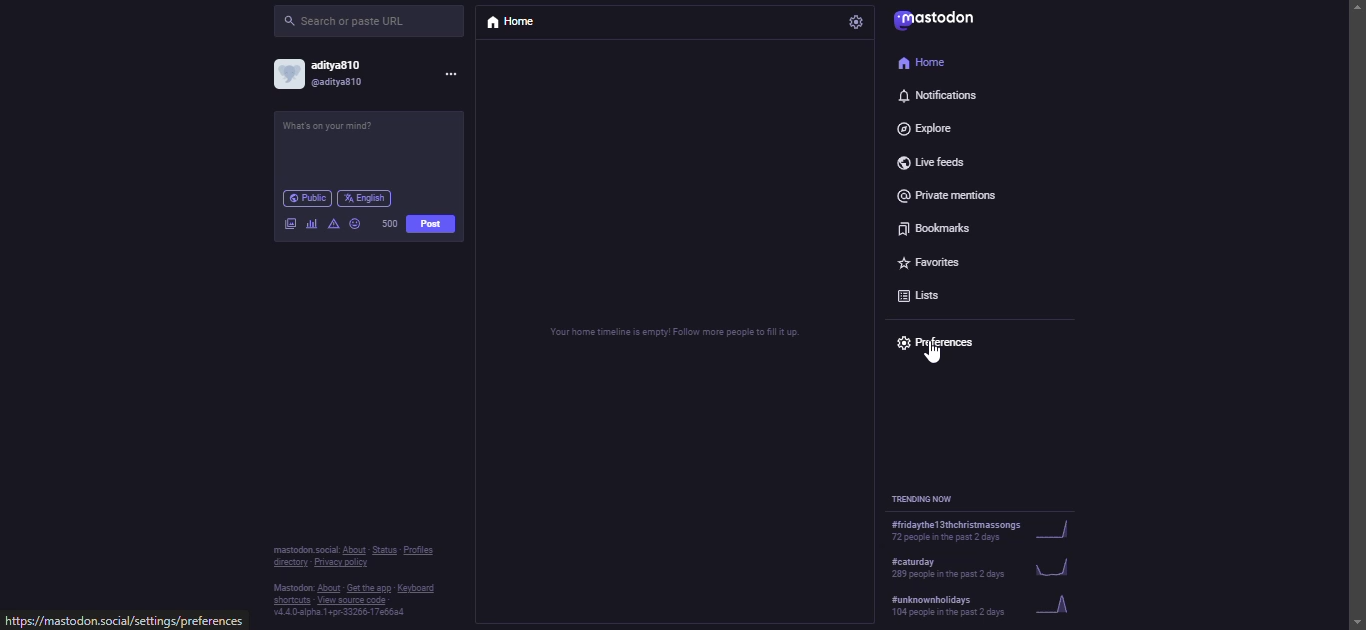 Image resolution: width=1366 pixels, height=630 pixels. What do you see at coordinates (432, 222) in the screenshot?
I see `post` at bounding box center [432, 222].